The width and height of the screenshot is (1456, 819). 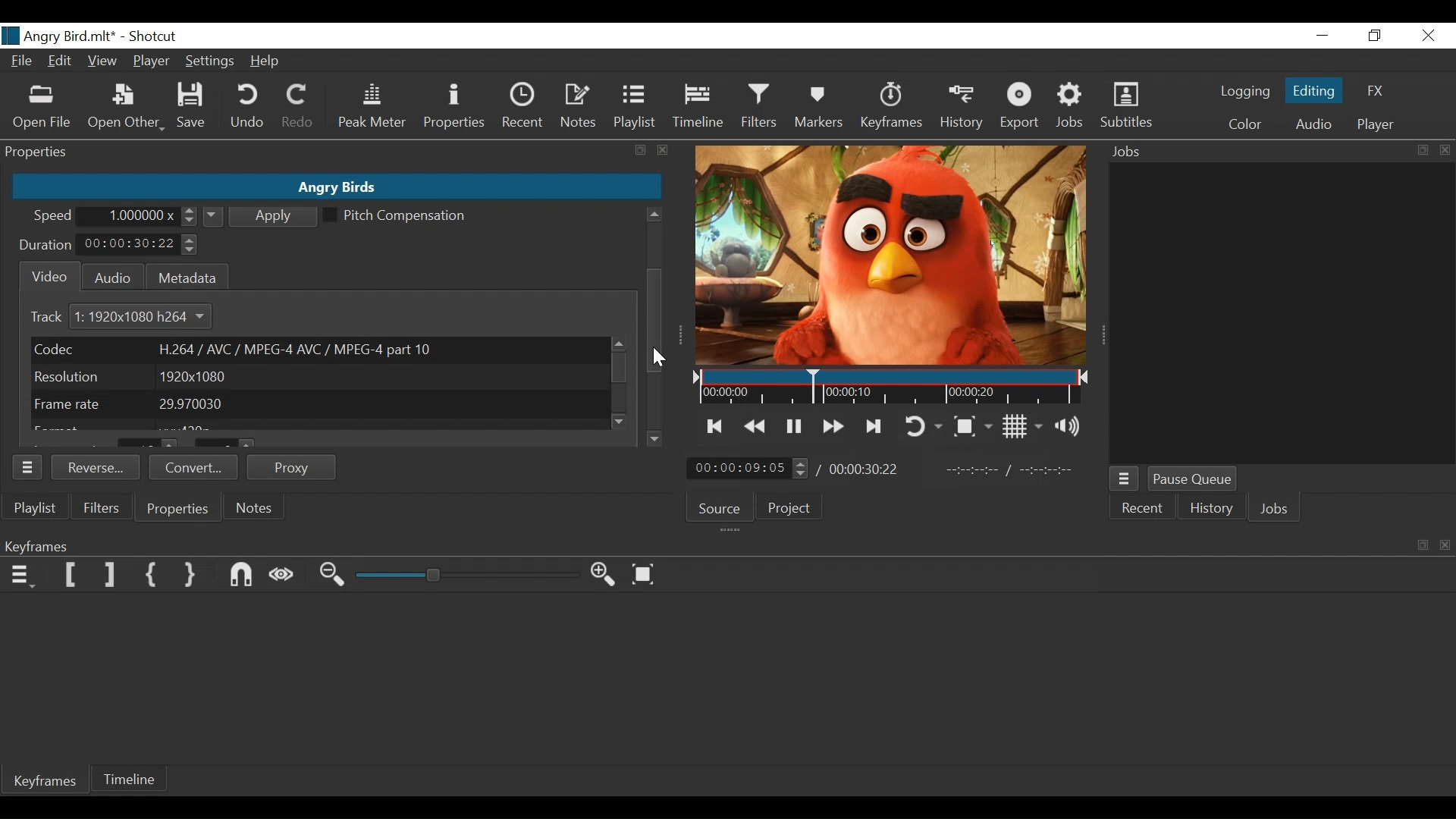 What do you see at coordinates (99, 507) in the screenshot?
I see `Filters` at bounding box center [99, 507].